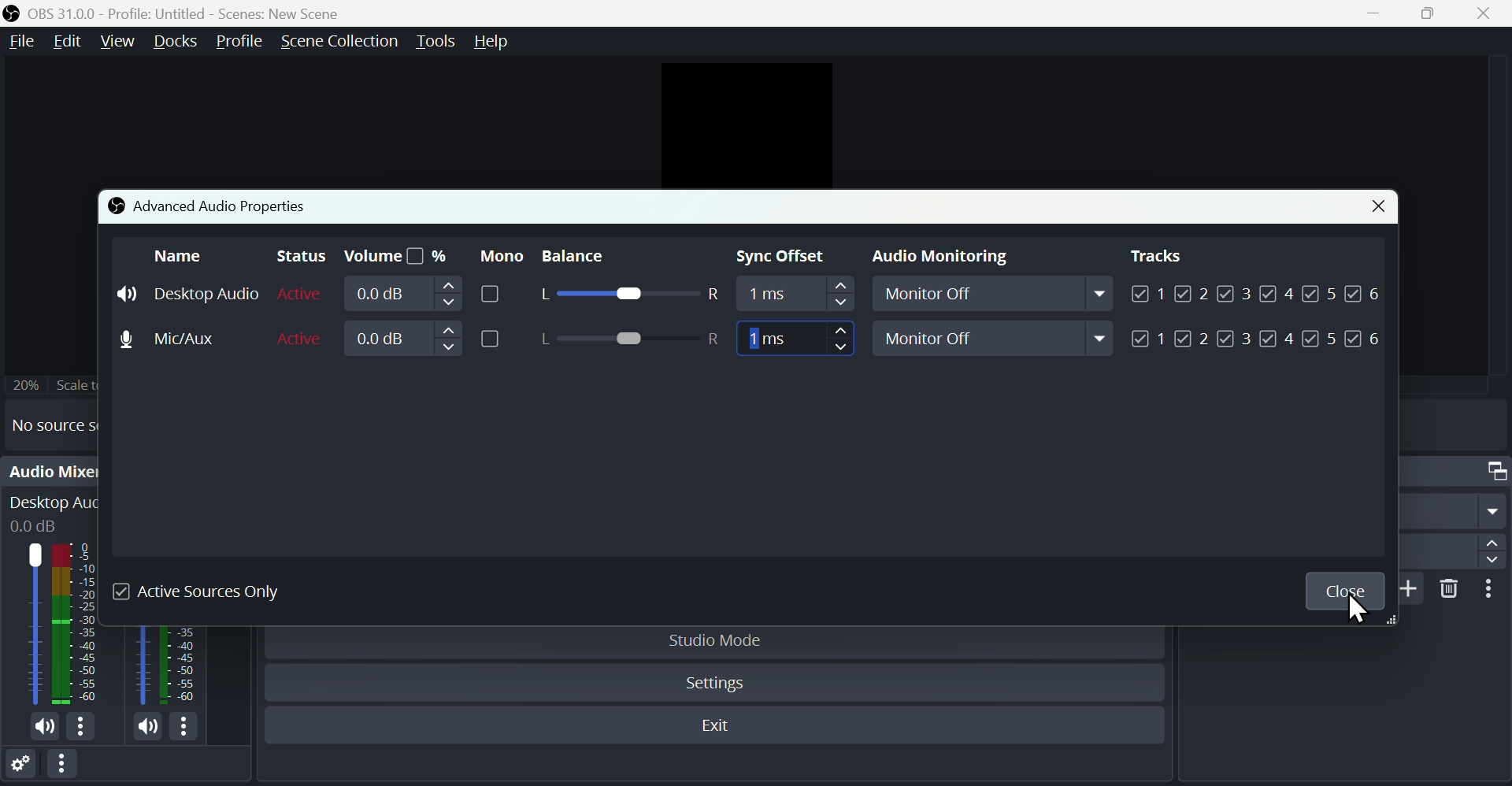 This screenshot has width=1512, height=786. Describe the element at coordinates (65, 769) in the screenshot. I see `More options` at that location.